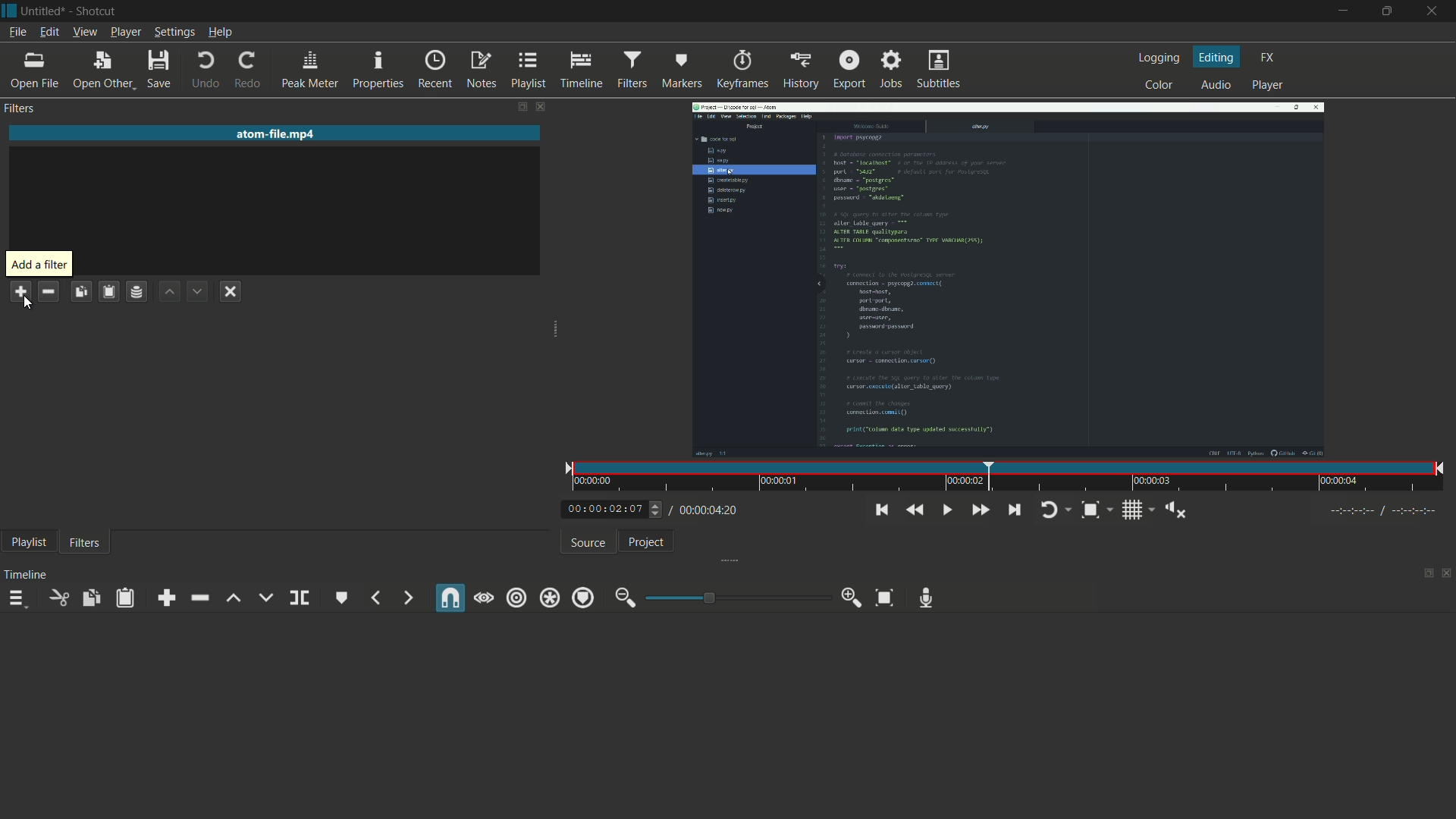 The height and width of the screenshot is (819, 1456). I want to click on fx, so click(1271, 58).